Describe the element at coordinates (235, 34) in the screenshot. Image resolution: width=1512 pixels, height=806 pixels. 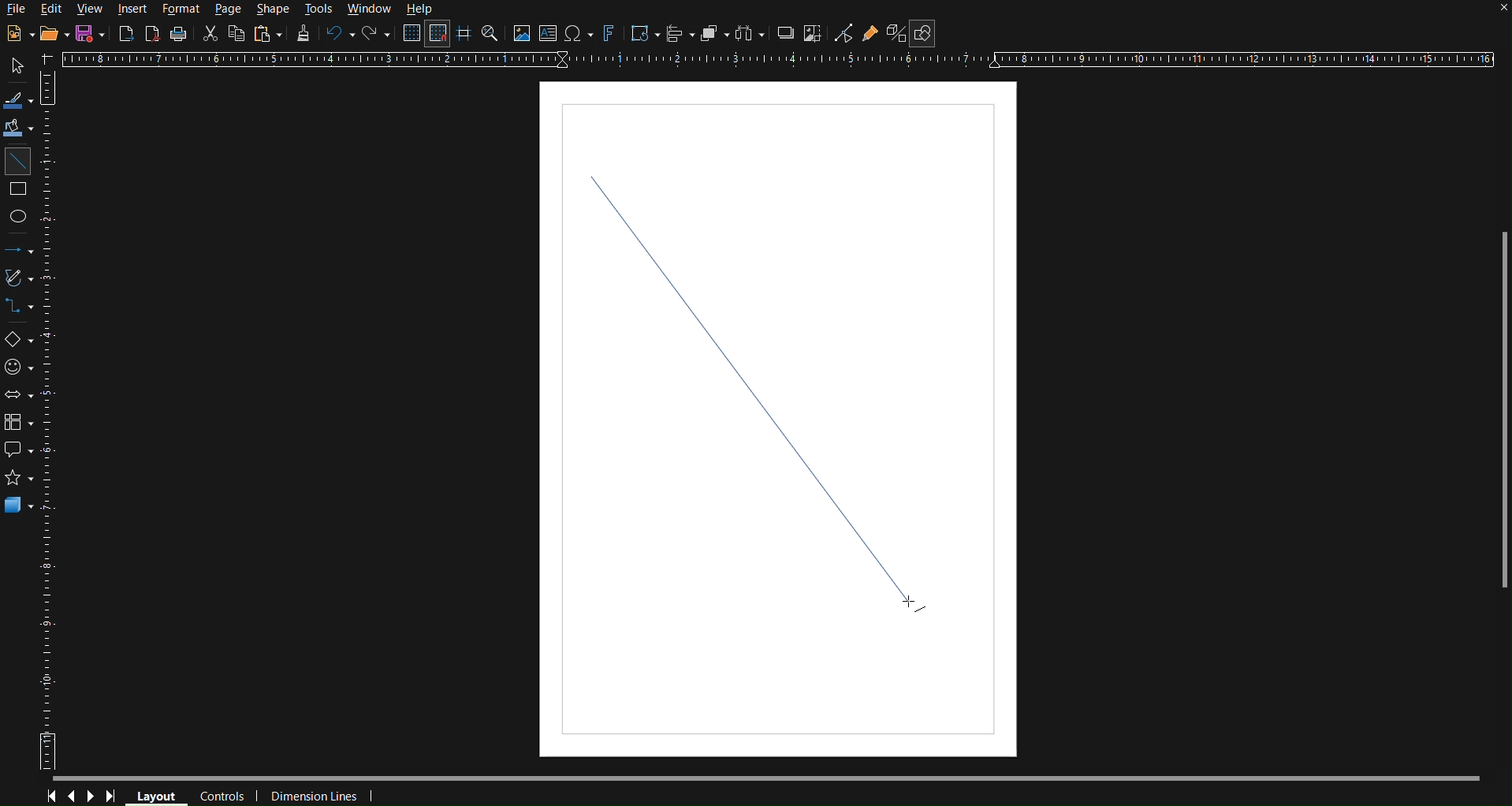
I see `Copy` at that location.